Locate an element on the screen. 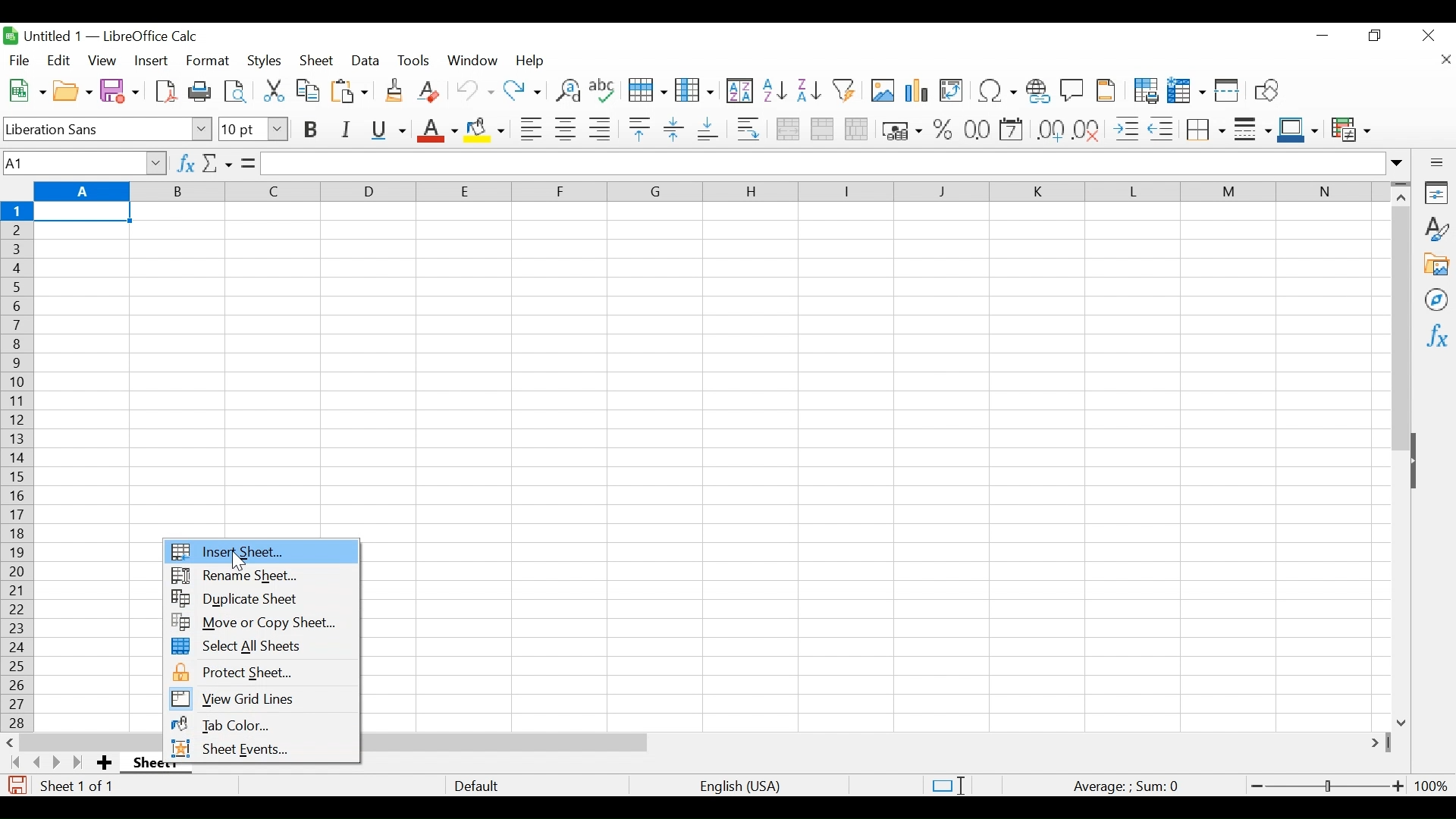  Move or copy Sheet is located at coordinates (262, 624).